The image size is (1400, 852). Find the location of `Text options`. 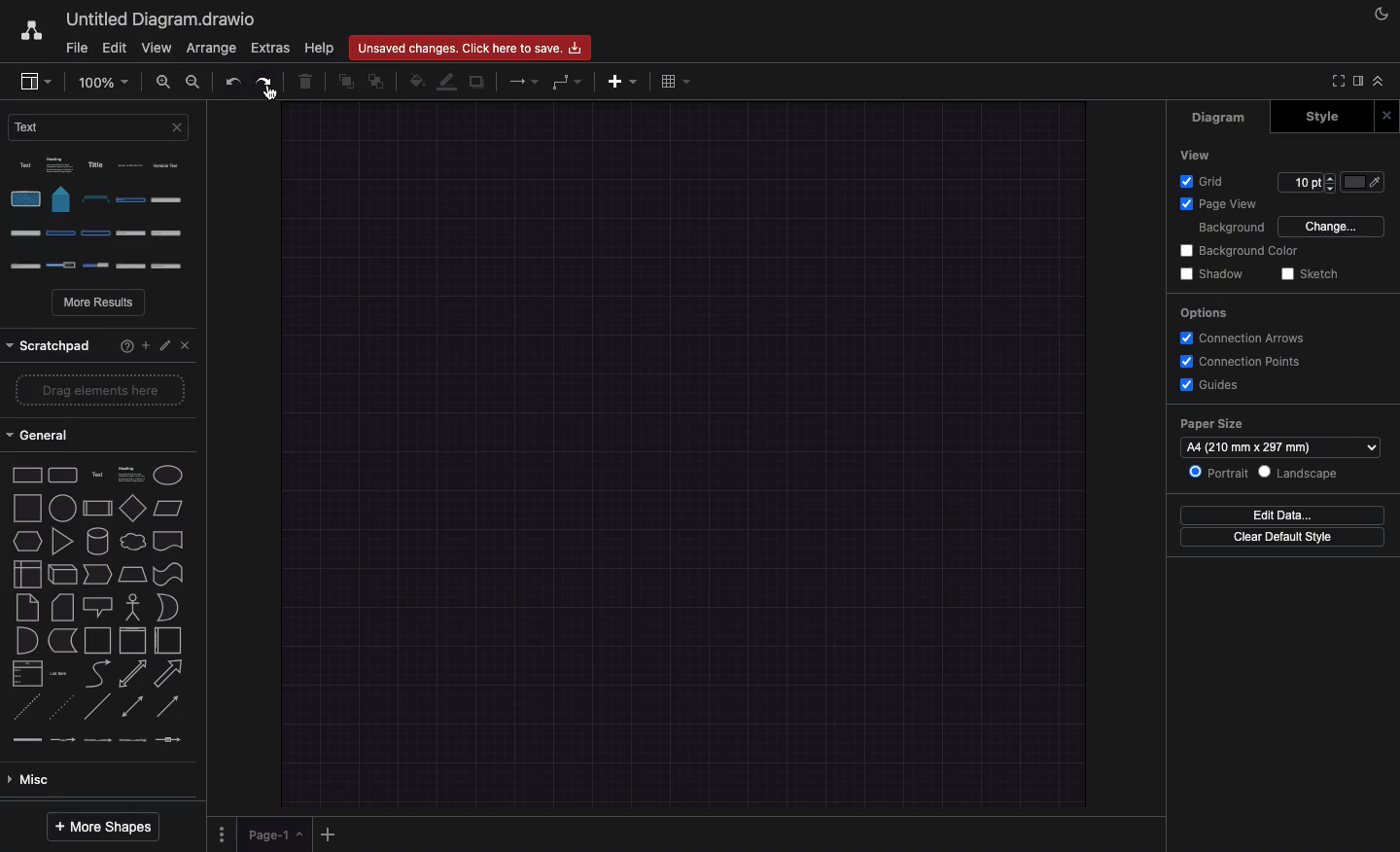

Text options is located at coordinates (103, 214).